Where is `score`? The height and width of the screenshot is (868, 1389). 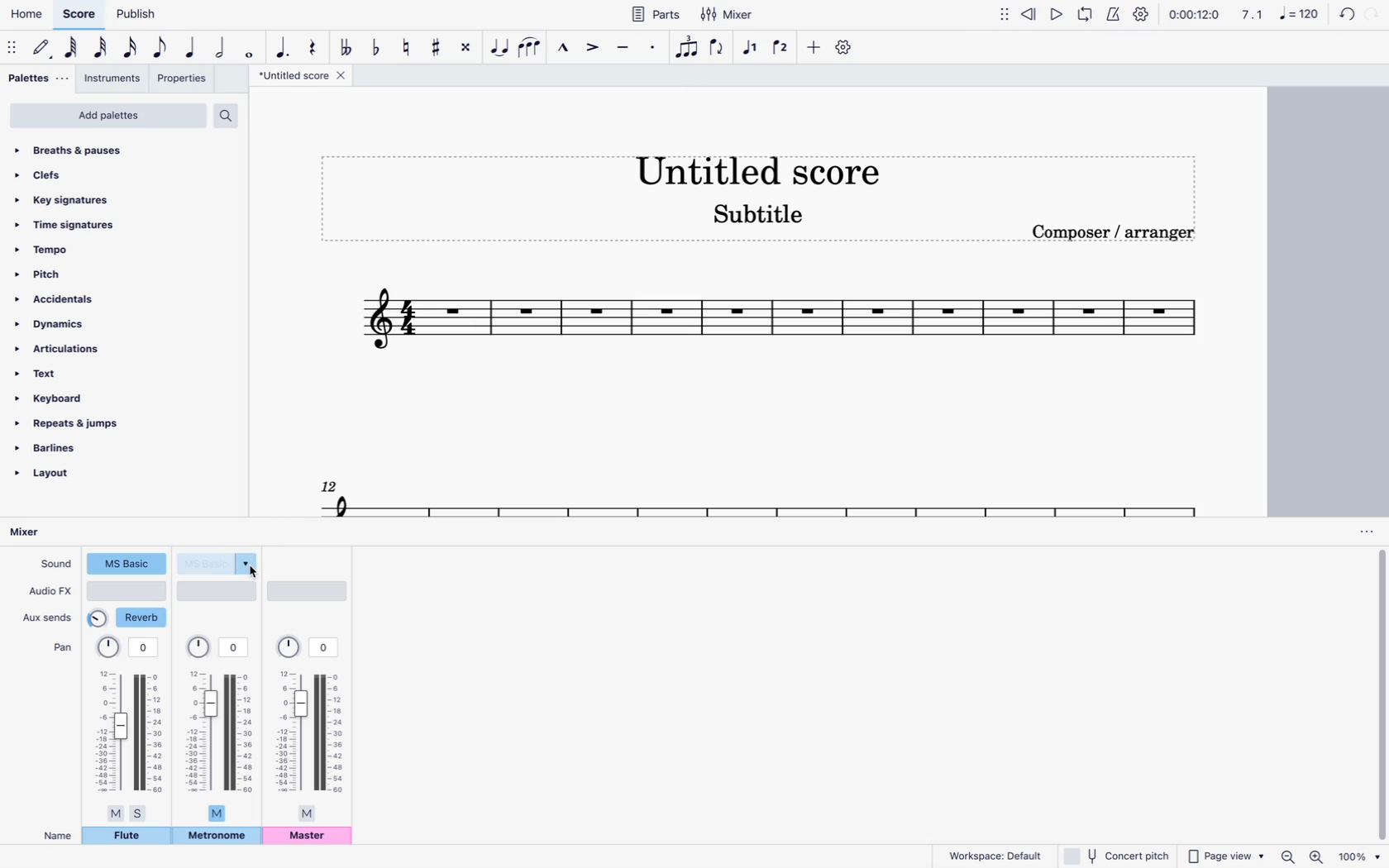 score is located at coordinates (80, 15).